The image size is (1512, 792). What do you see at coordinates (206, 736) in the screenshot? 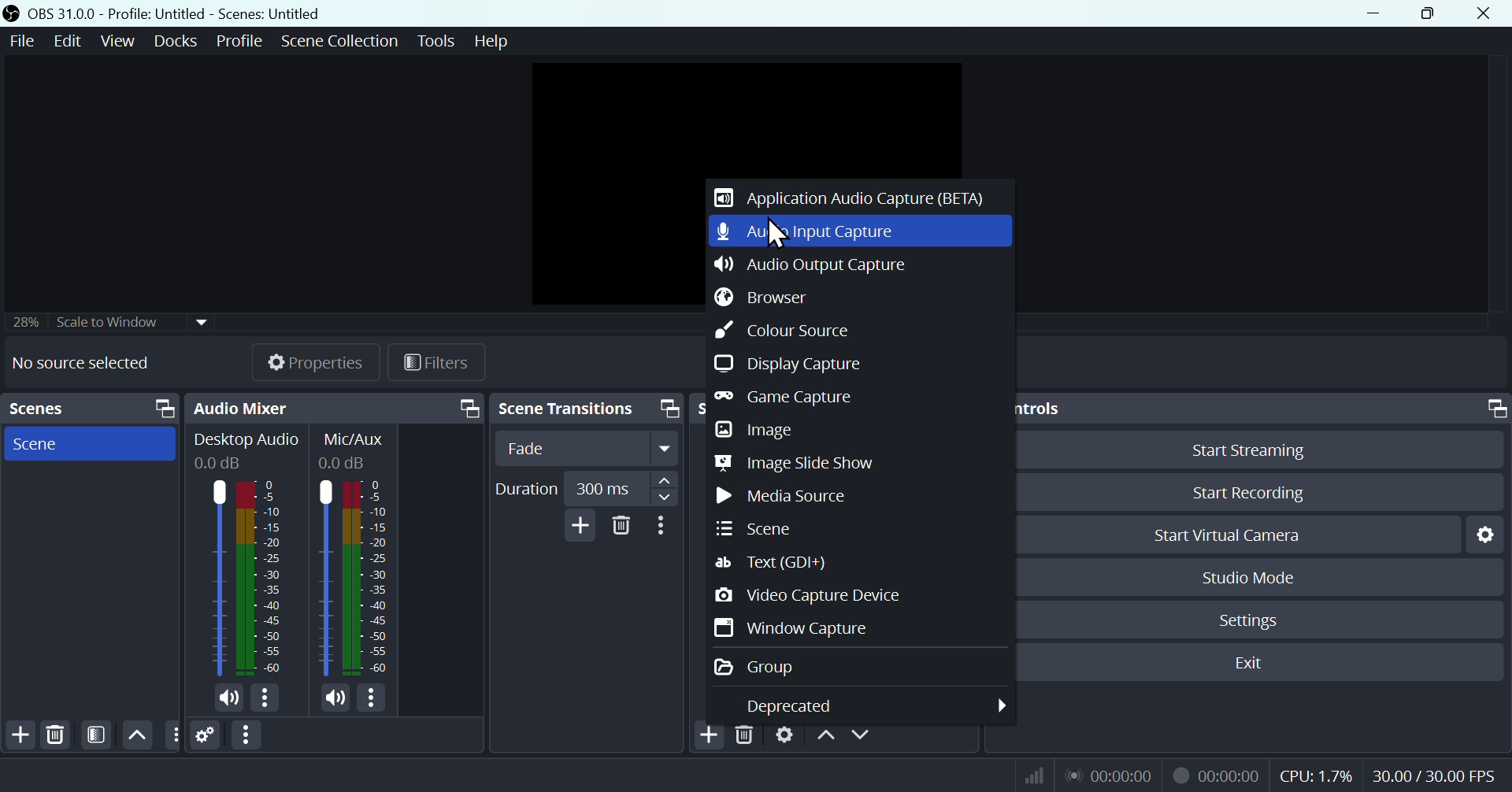
I see `Settings` at bounding box center [206, 736].